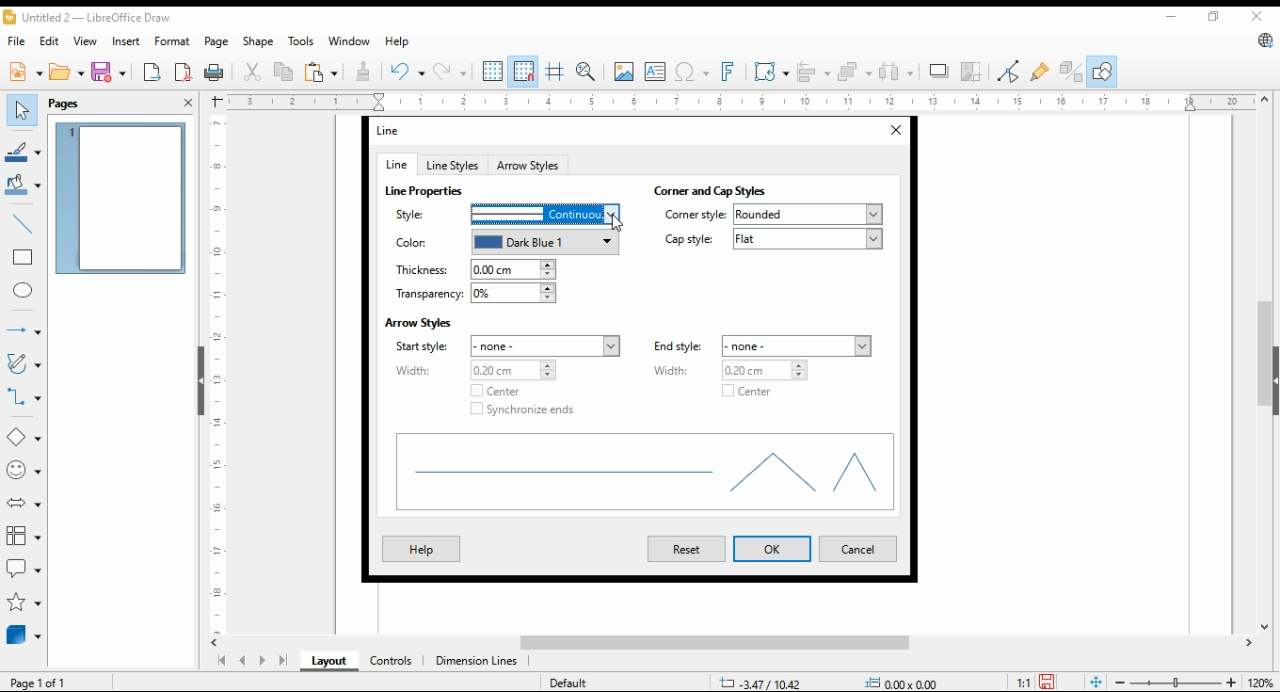  I want to click on line format window, so click(396, 130).